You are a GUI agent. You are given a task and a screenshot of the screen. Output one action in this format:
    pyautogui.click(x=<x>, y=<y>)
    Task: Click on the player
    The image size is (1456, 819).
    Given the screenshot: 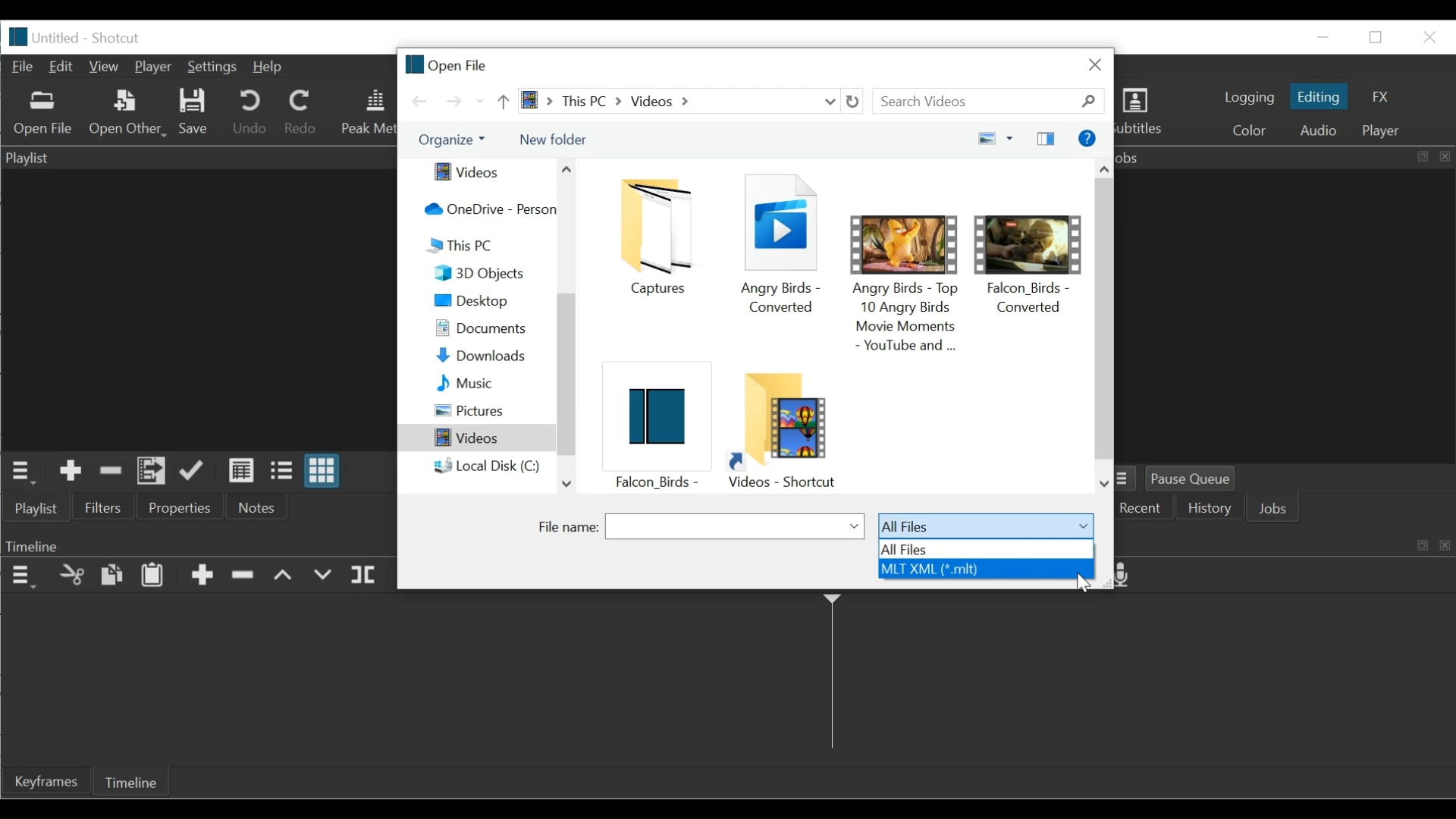 What is the action you would take?
    pyautogui.click(x=1385, y=132)
    